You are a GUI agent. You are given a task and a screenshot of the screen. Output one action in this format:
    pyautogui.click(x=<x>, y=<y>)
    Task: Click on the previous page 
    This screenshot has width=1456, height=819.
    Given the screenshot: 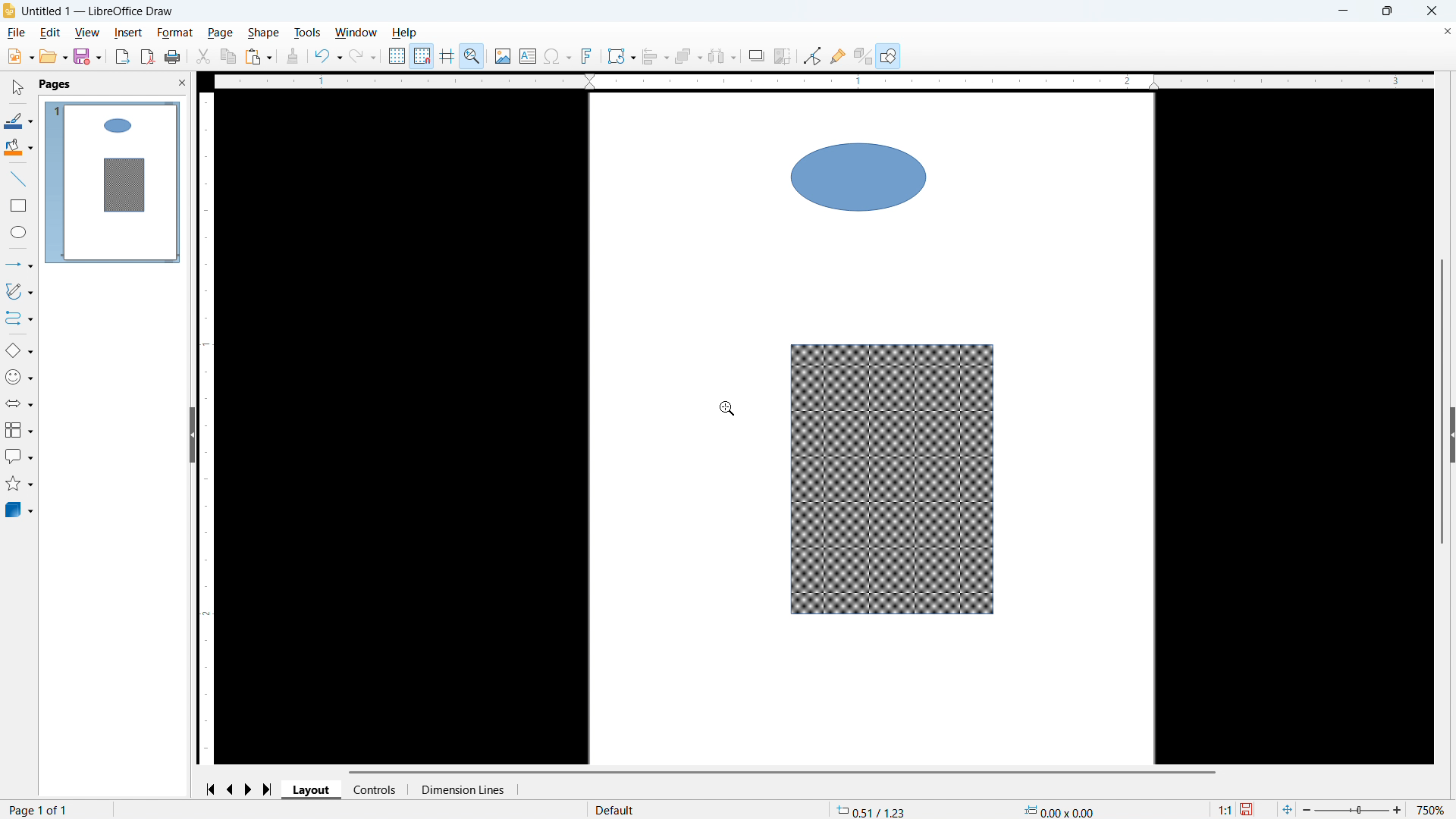 What is the action you would take?
    pyautogui.click(x=232, y=789)
    